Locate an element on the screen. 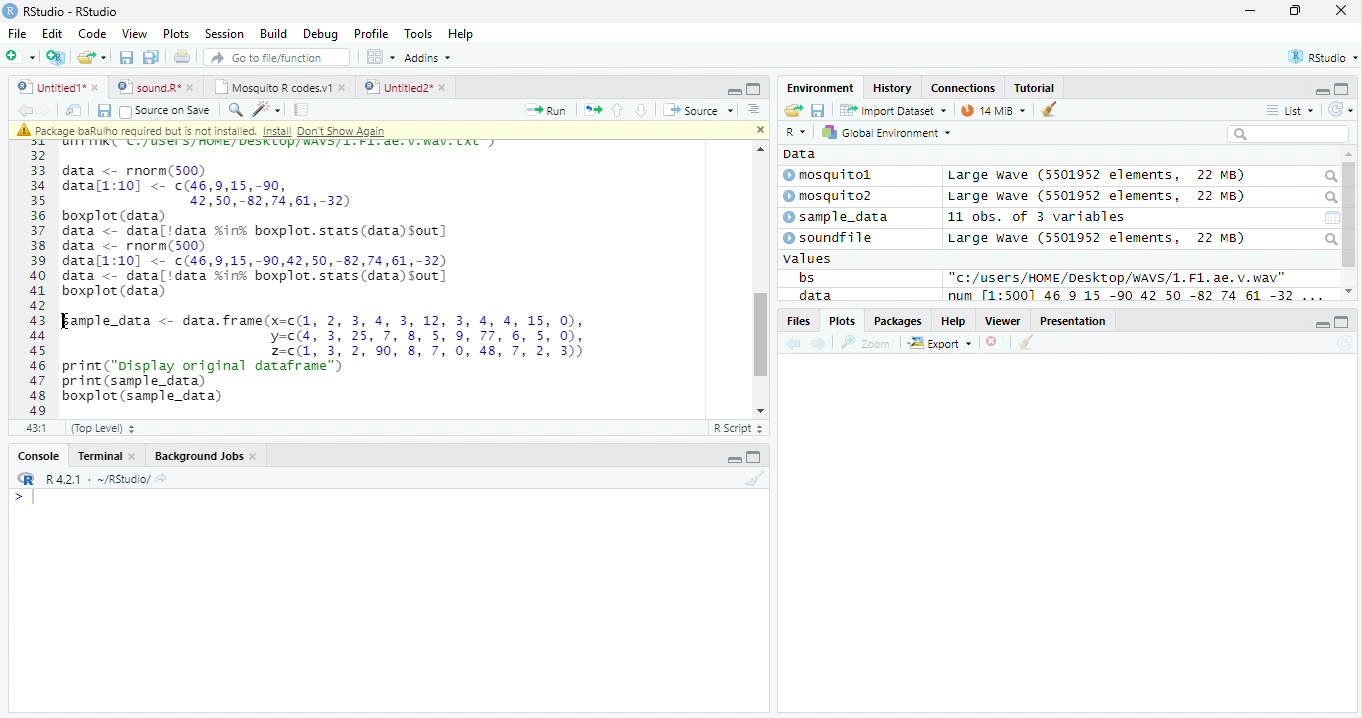 The image size is (1362, 718). clear workspace is located at coordinates (753, 479).